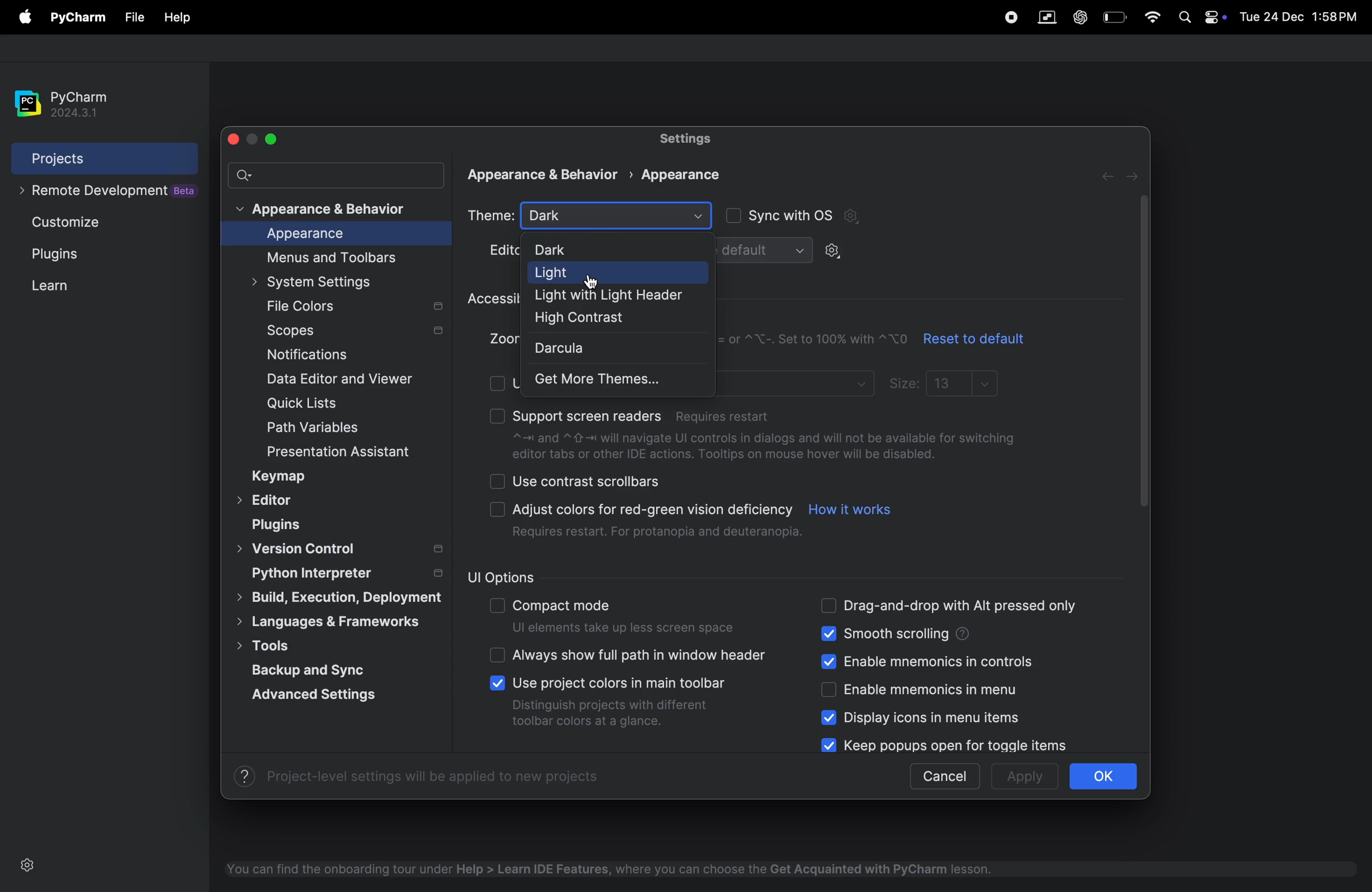  I want to click on version controls, so click(344, 549).